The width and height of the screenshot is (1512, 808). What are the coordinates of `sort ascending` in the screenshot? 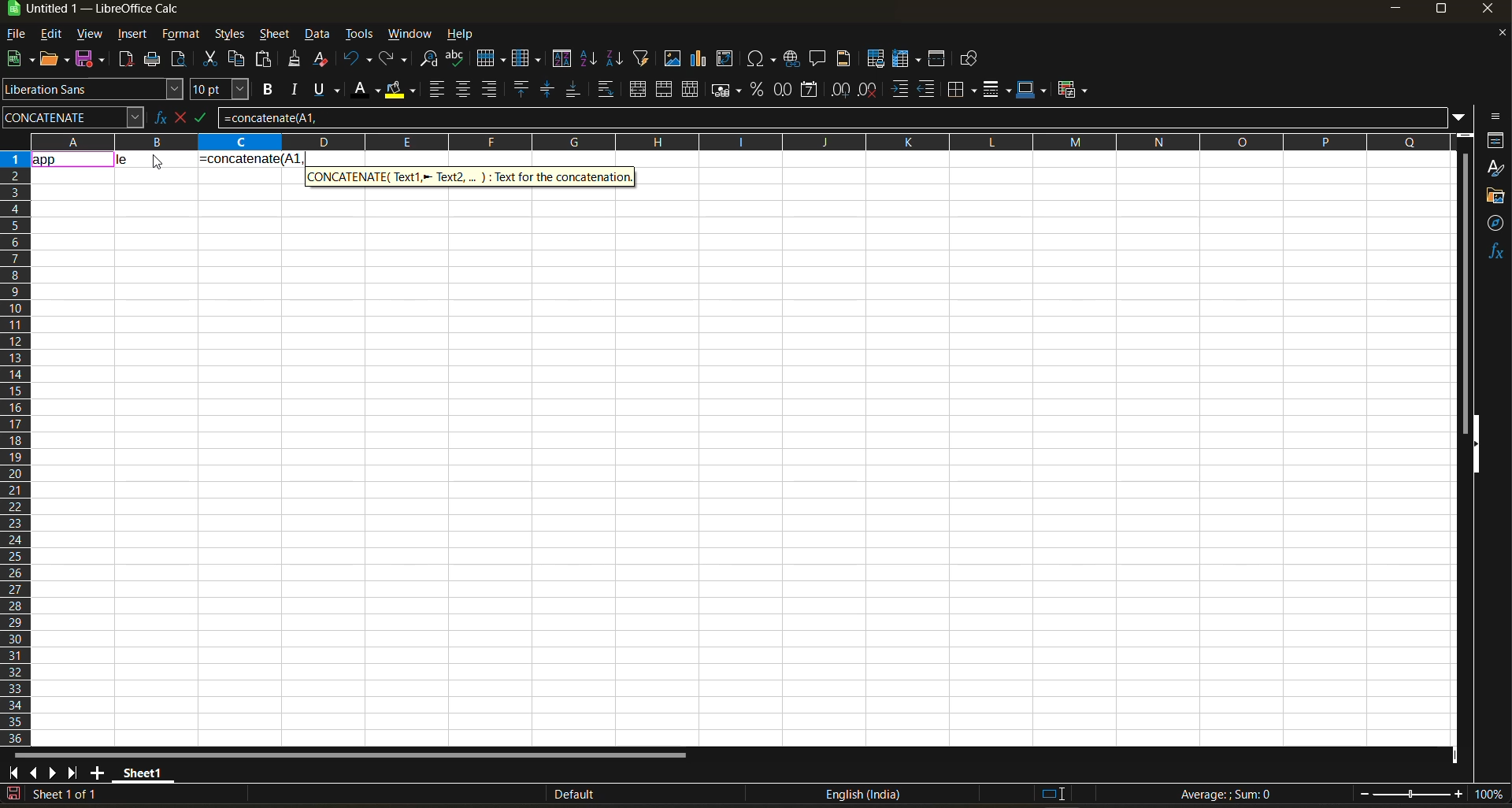 It's located at (590, 60).